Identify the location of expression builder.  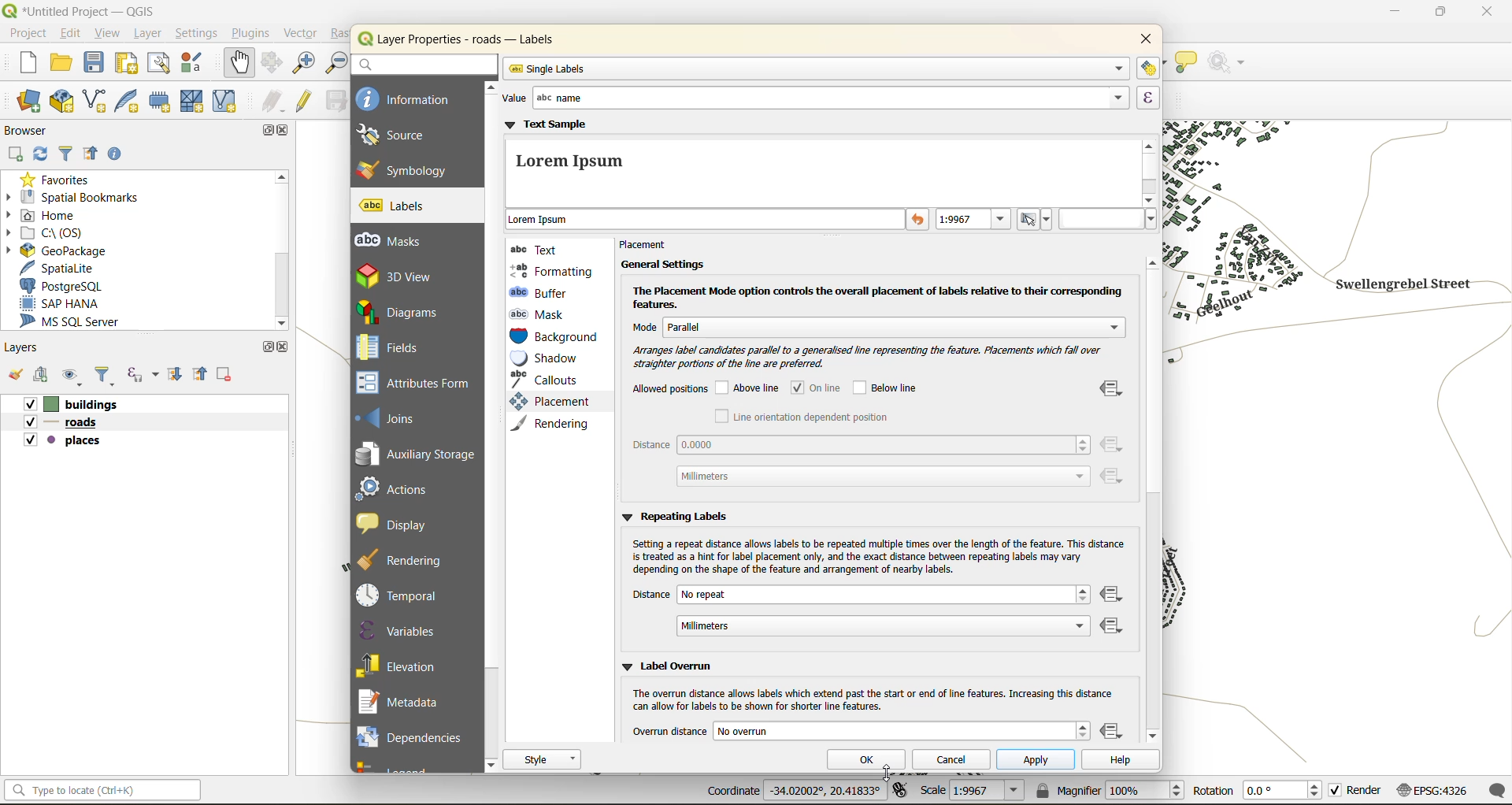
(1148, 98).